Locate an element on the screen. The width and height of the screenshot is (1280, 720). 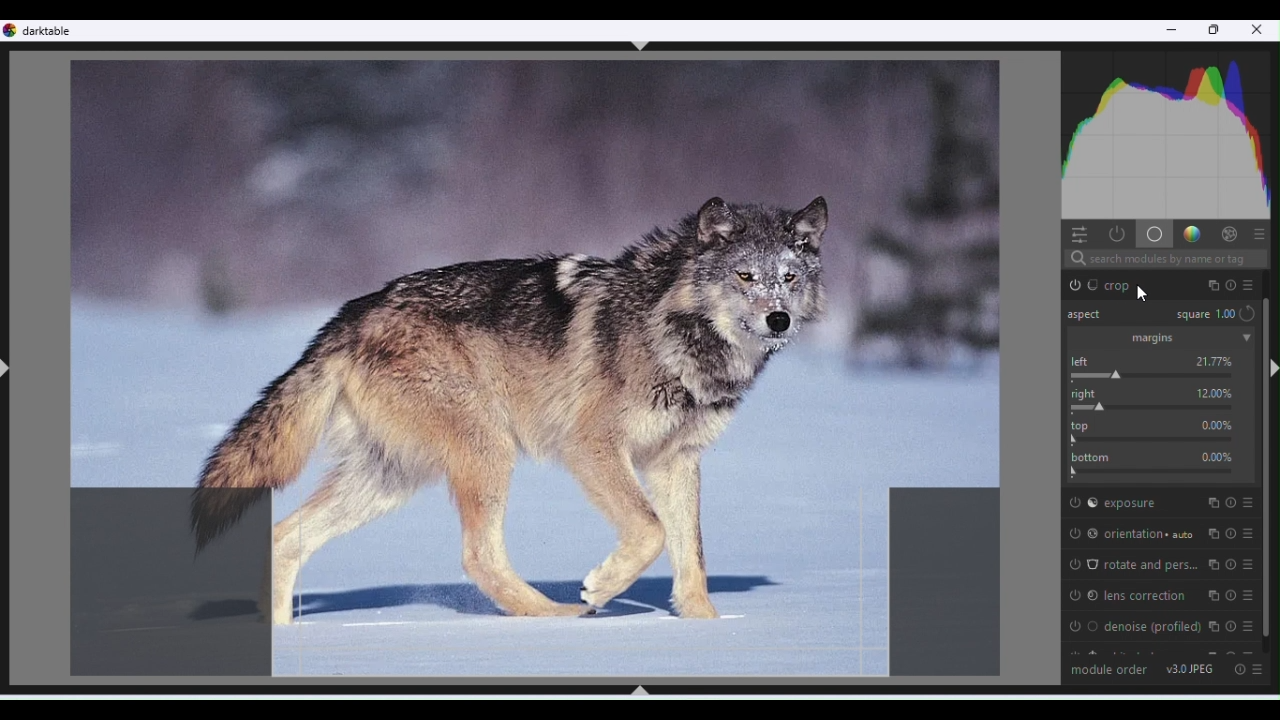
Quick access is located at coordinates (1077, 233).